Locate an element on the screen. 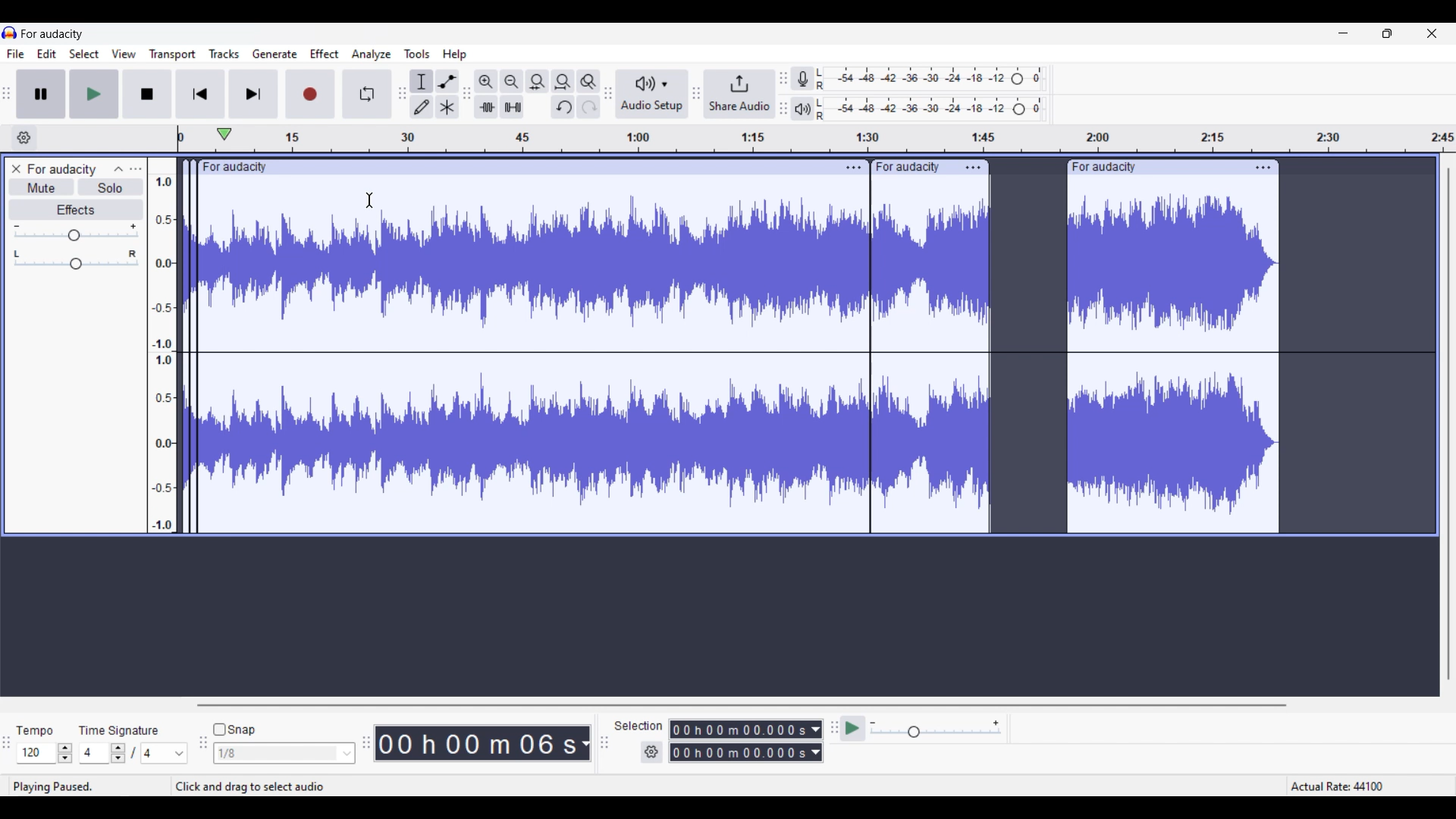 This screenshot has height=819, width=1456. Playback meter is located at coordinates (804, 109).